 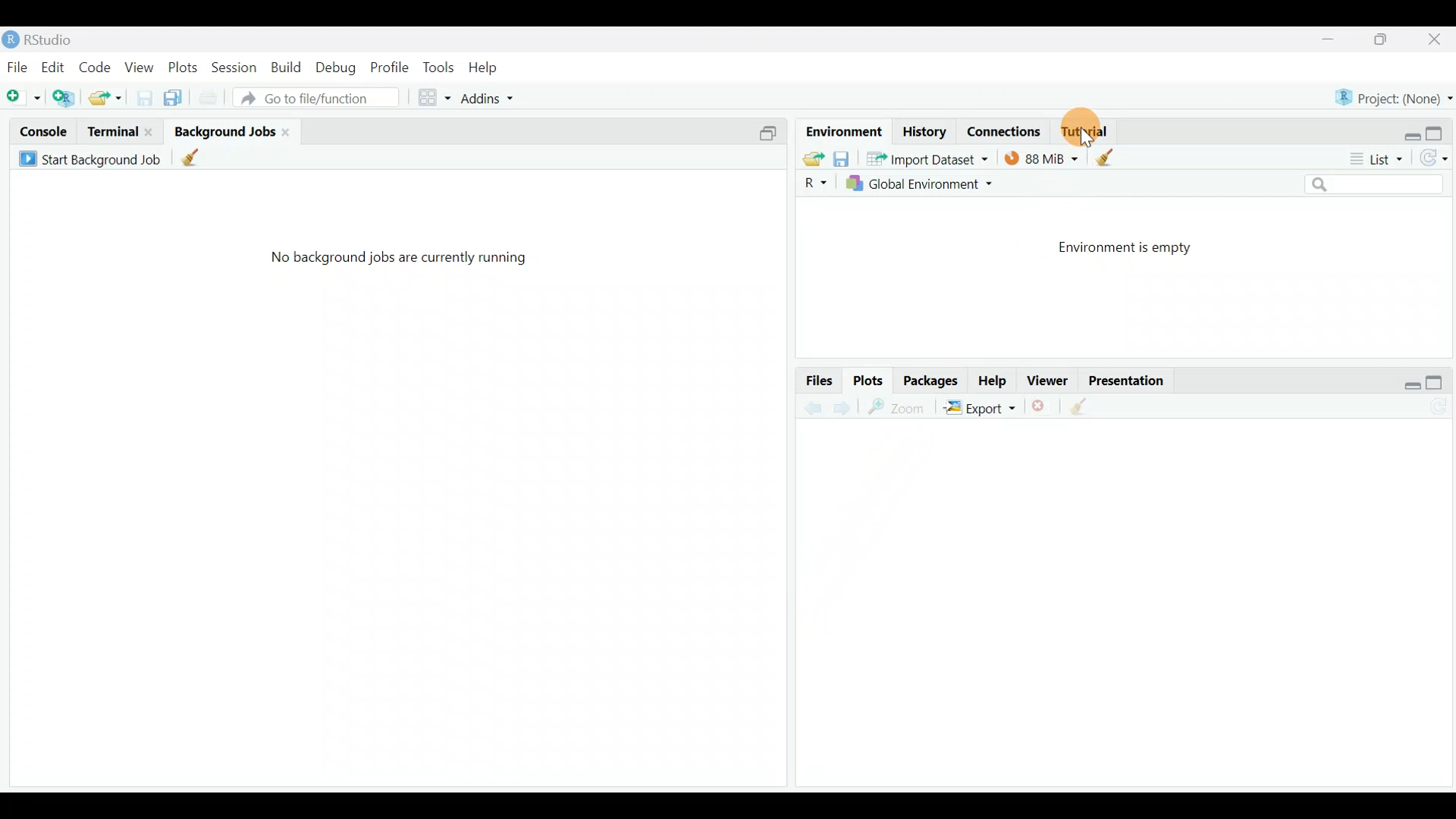 I want to click on Next plot, so click(x=842, y=407).